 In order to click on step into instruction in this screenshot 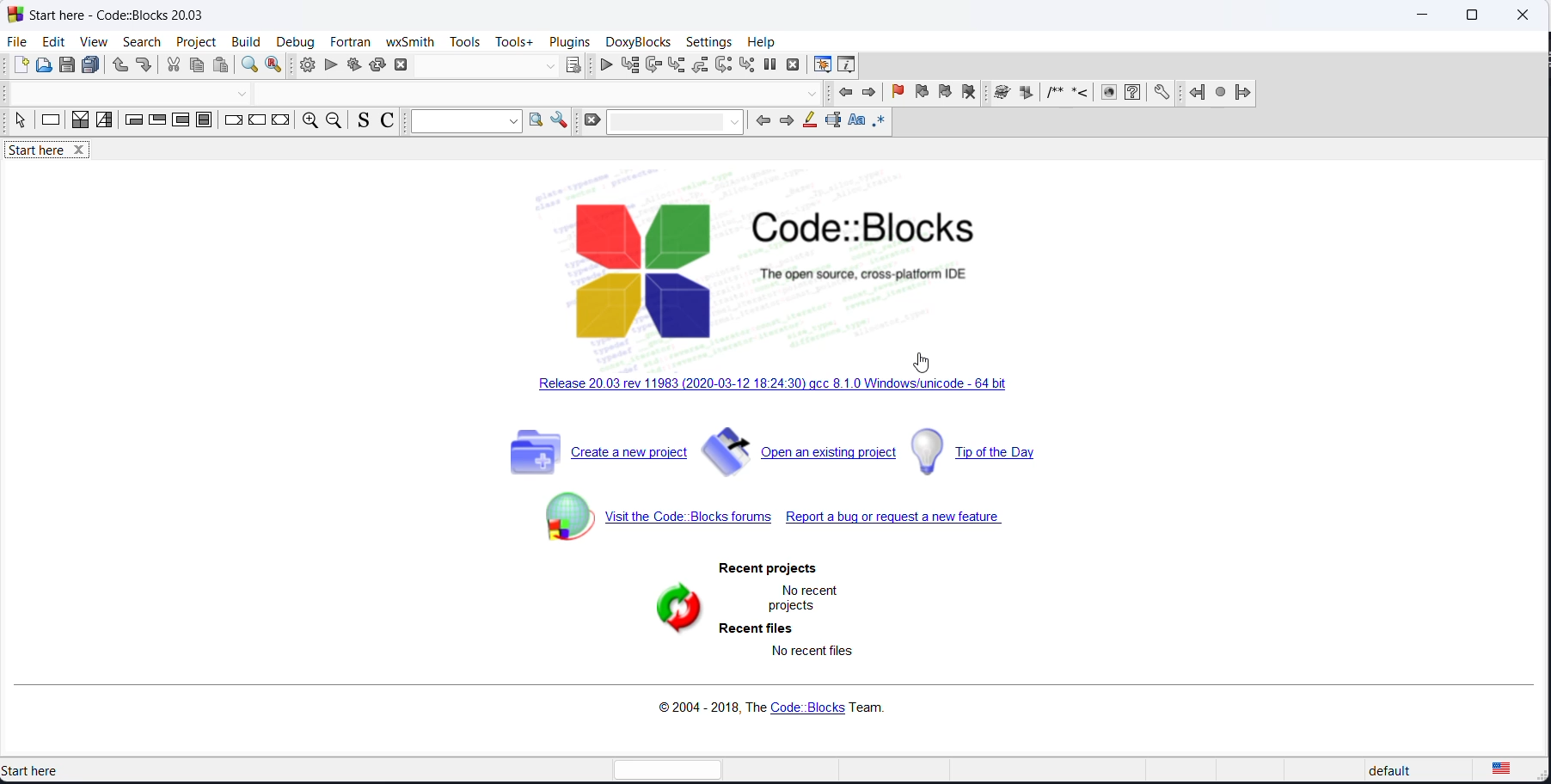, I will do `click(747, 65)`.